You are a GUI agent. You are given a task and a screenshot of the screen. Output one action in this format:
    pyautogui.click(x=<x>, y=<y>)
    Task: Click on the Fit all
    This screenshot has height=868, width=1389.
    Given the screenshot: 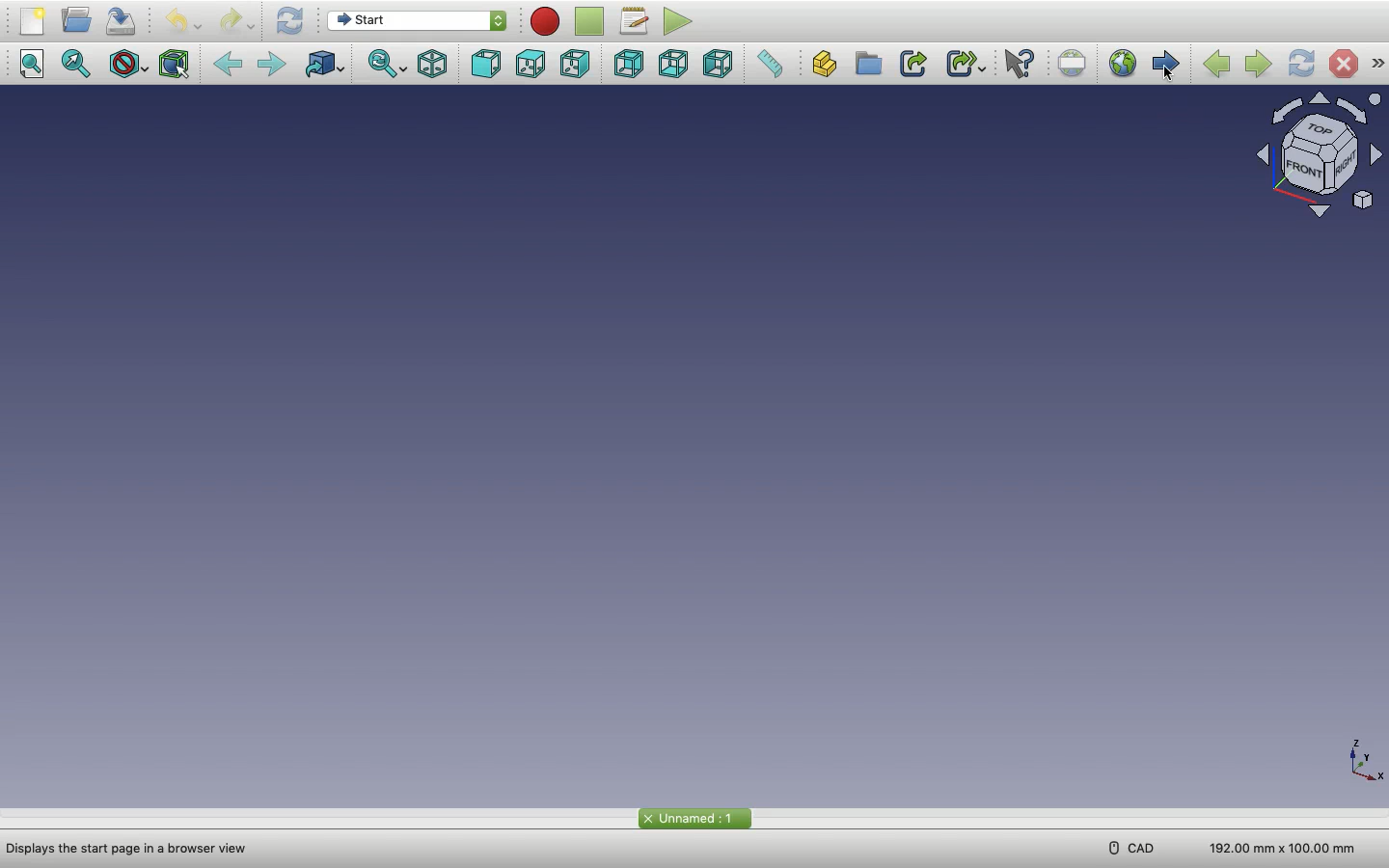 What is the action you would take?
    pyautogui.click(x=37, y=66)
    